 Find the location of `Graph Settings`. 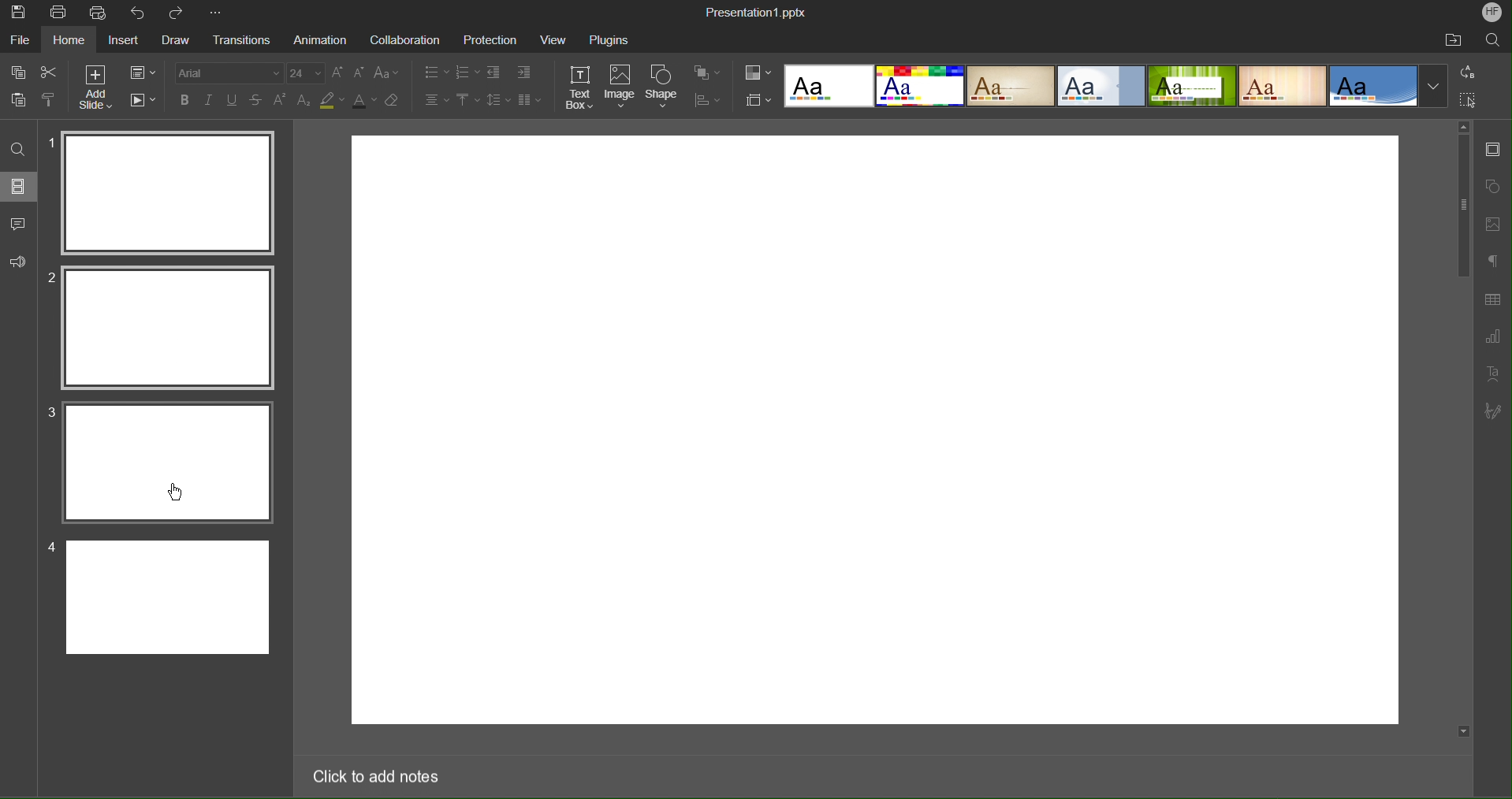

Graph Settings is located at coordinates (1492, 335).